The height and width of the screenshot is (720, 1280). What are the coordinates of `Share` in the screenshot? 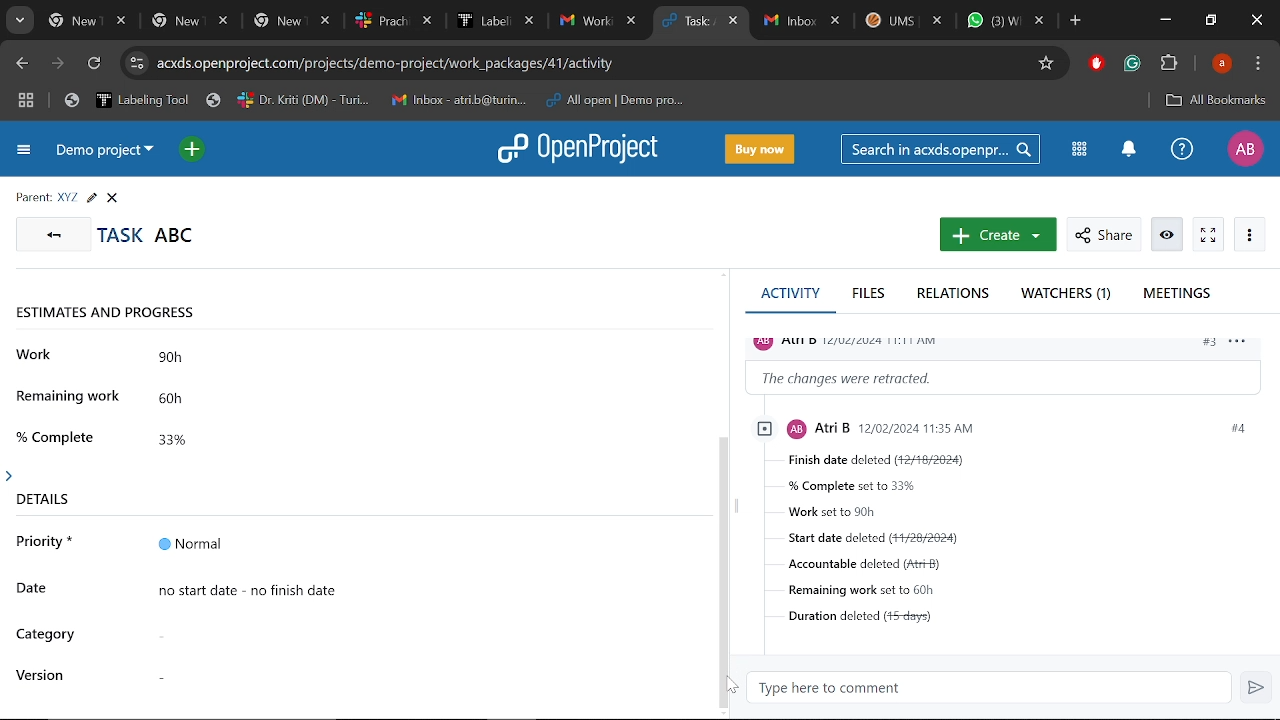 It's located at (1103, 235).